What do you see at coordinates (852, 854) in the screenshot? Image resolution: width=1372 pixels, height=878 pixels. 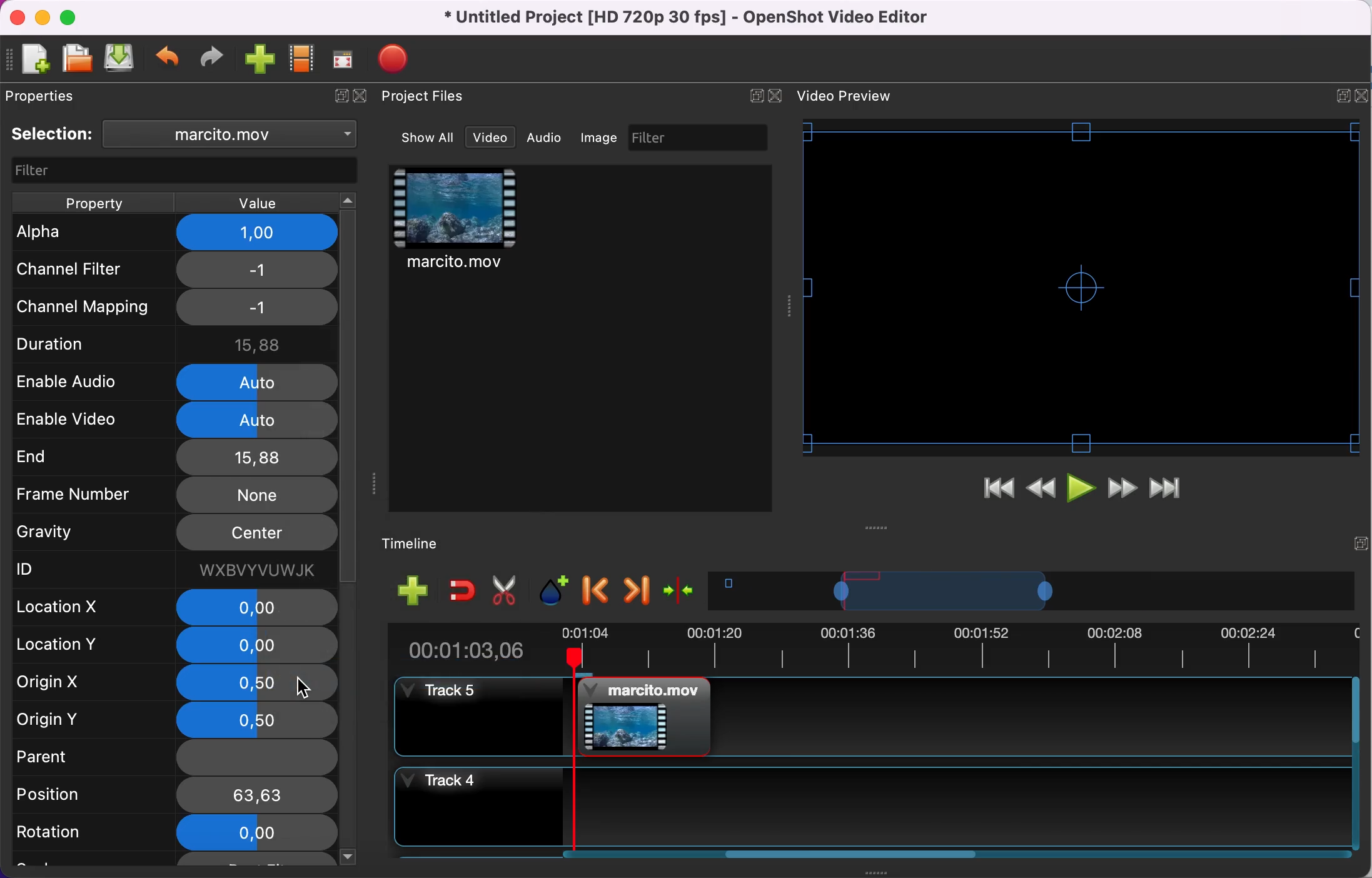 I see `Horizontal slide bar` at bounding box center [852, 854].